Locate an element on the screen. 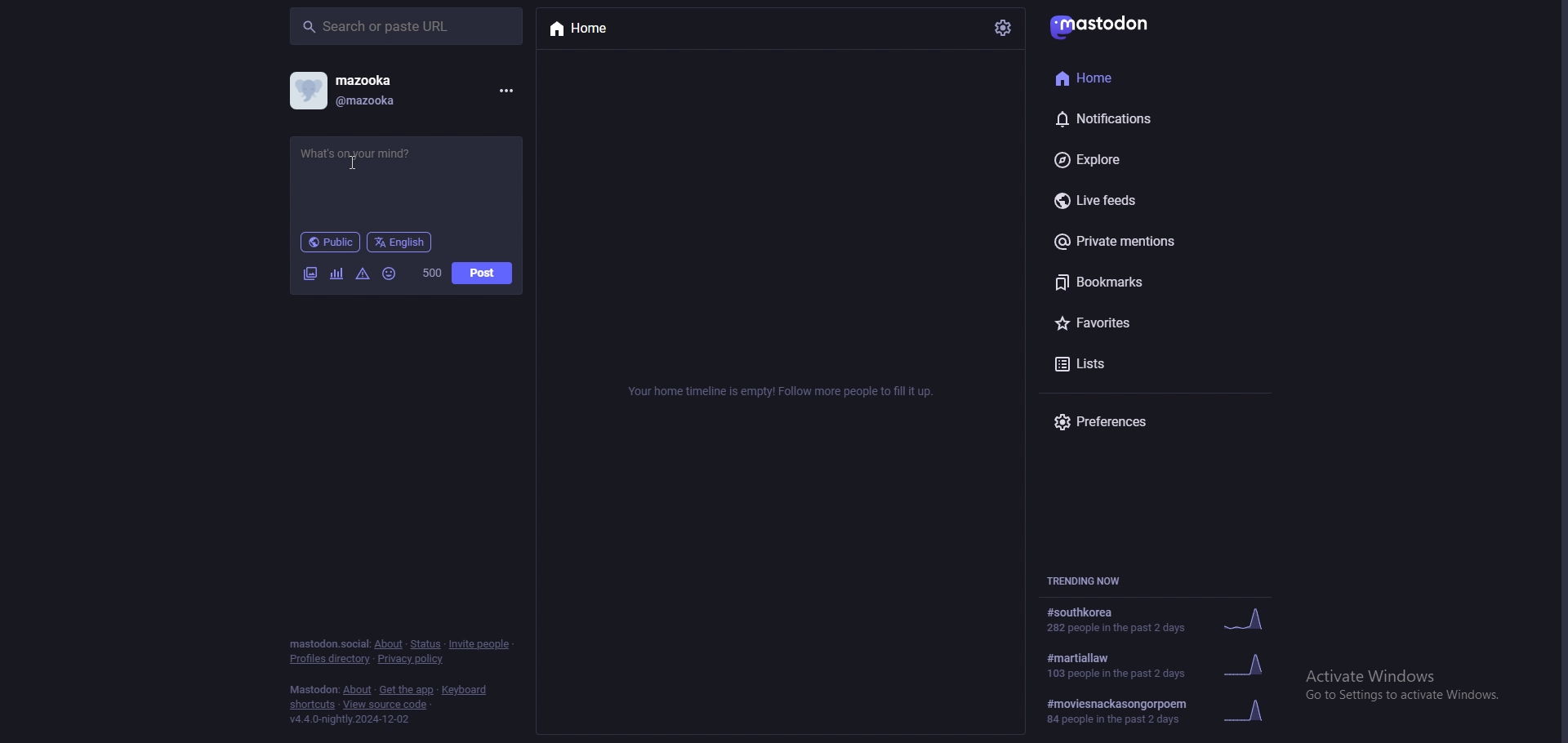  info is located at coordinates (786, 392).